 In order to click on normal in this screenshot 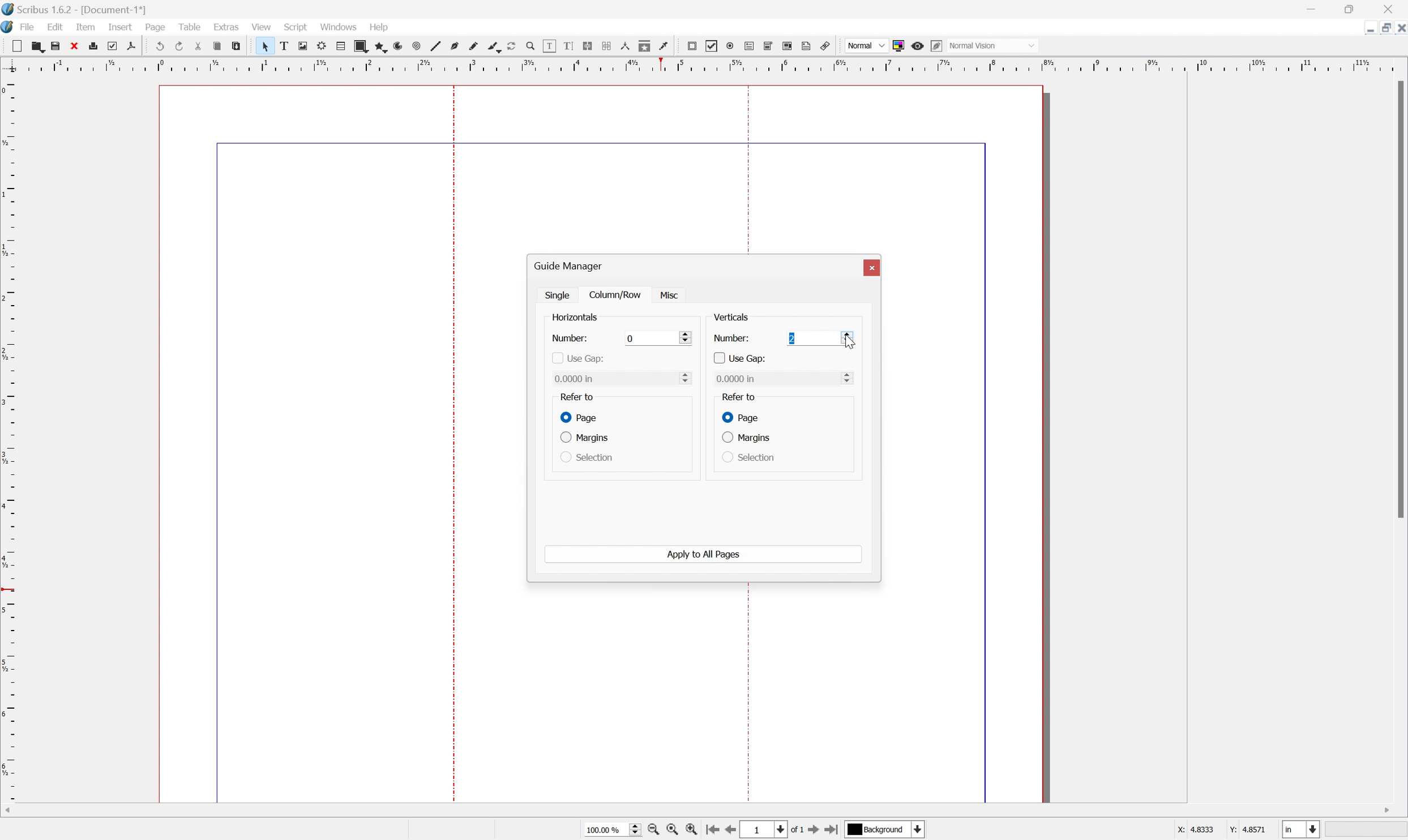, I will do `click(866, 45)`.